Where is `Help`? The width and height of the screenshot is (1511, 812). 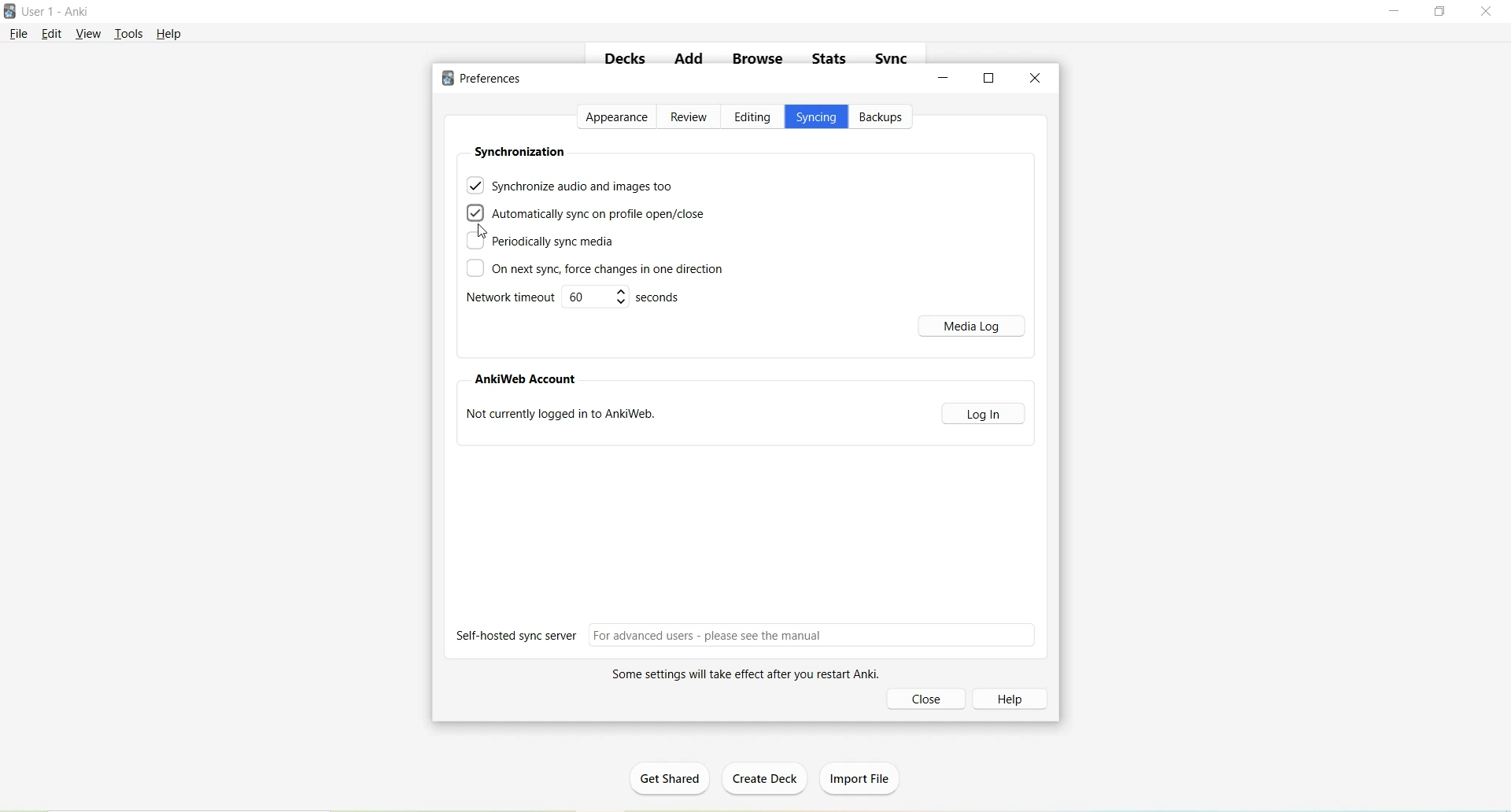 Help is located at coordinates (169, 34).